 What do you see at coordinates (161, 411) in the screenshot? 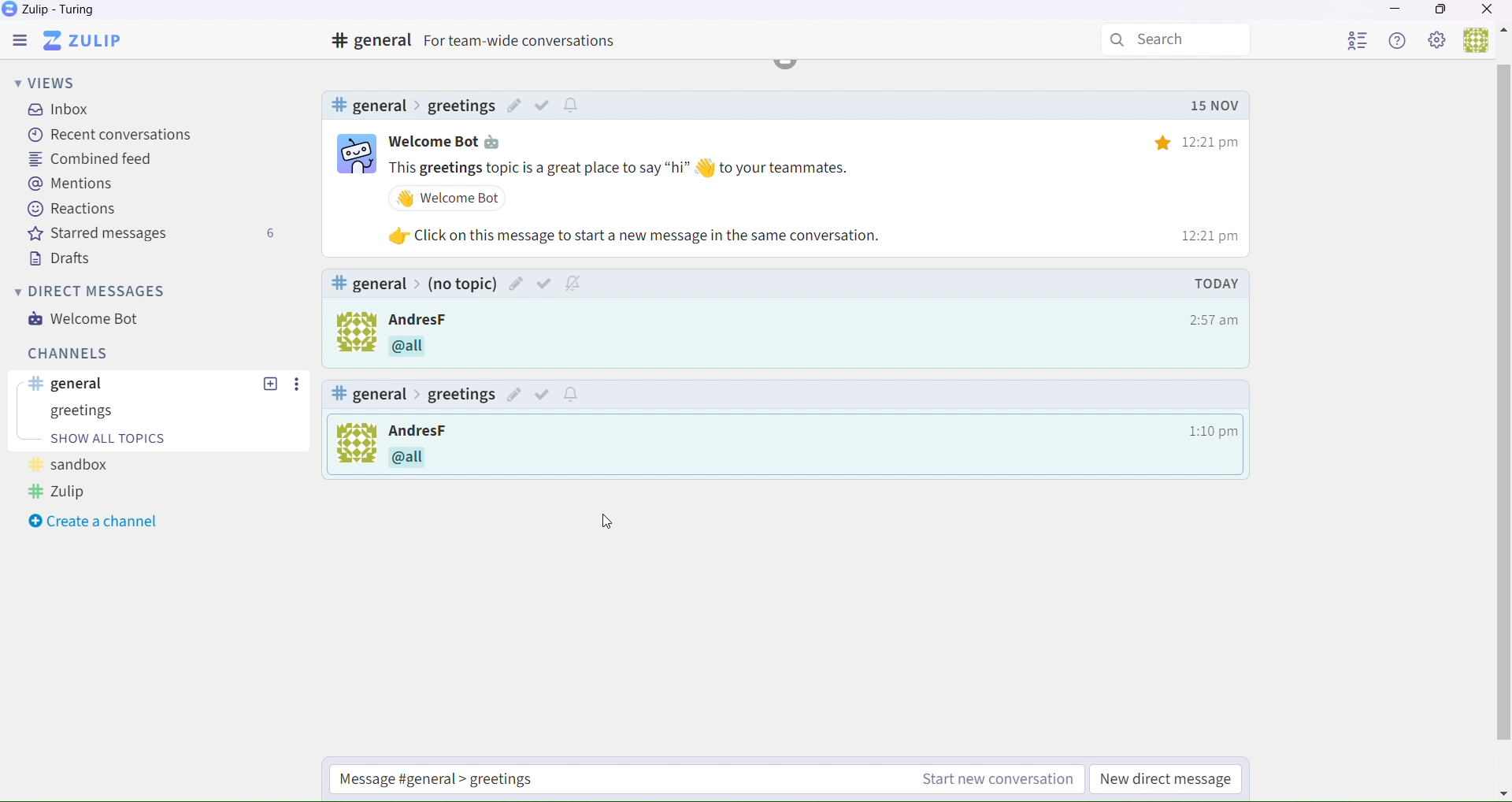
I see `Sanbox` at bounding box center [161, 411].